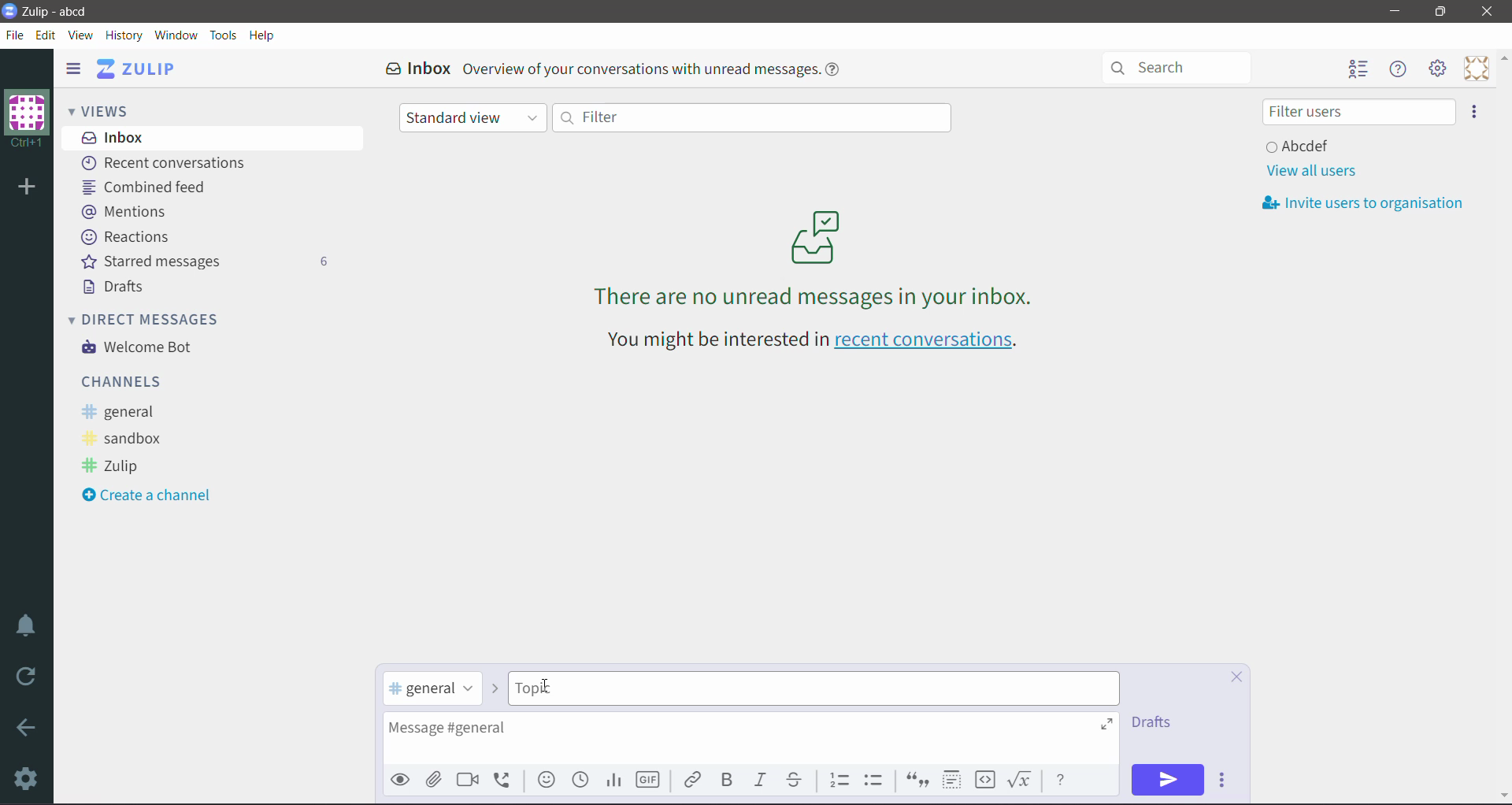 This screenshot has width=1512, height=805. What do you see at coordinates (815, 258) in the screenshot?
I see `There are no unread messages in your inbox` at bounding box center [815, 258].